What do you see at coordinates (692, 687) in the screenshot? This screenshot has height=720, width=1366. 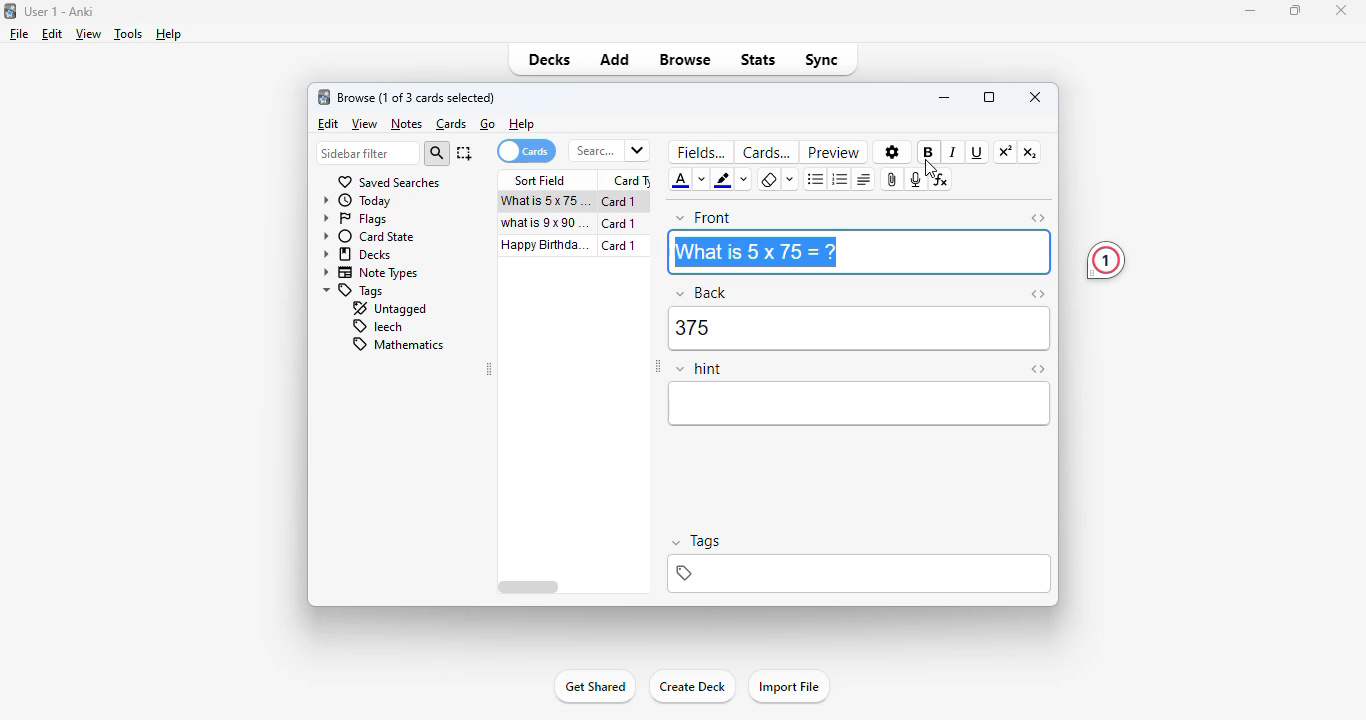 I see `create deck` at bounding box center [692, 687].